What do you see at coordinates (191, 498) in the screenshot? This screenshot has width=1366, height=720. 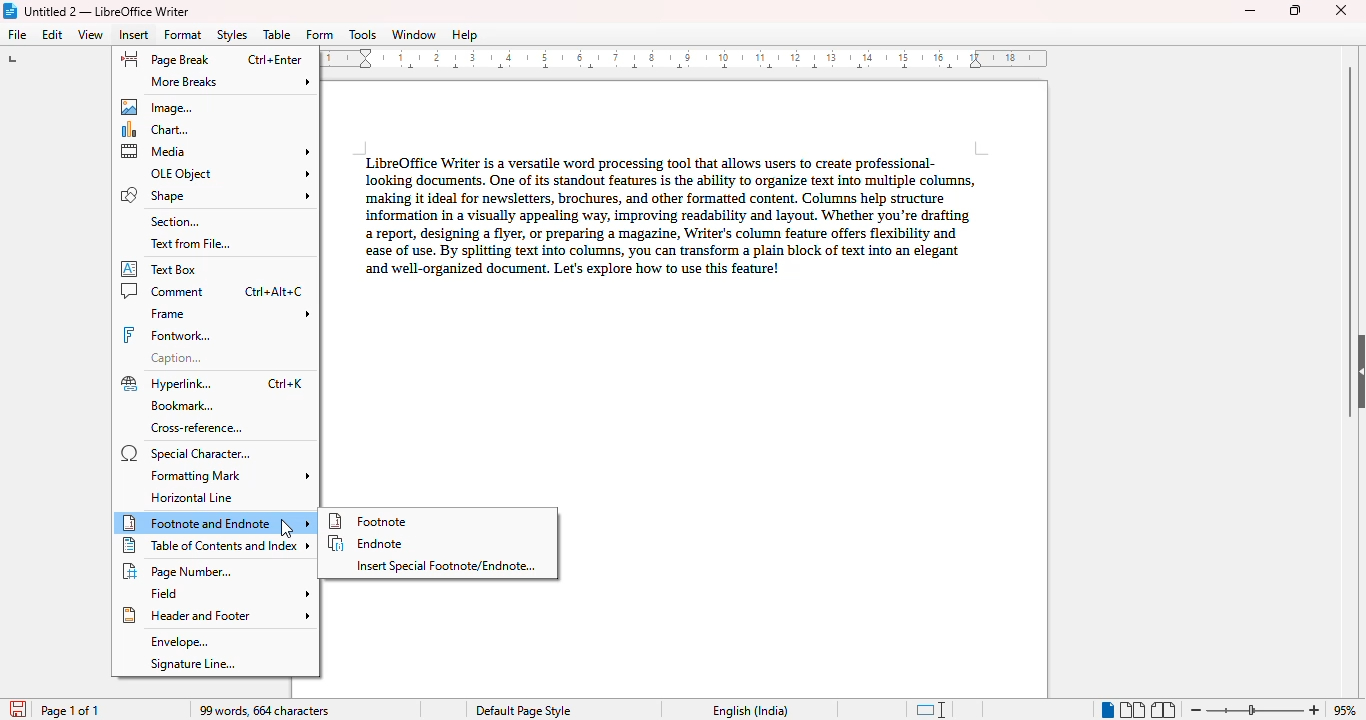 I see `horizontal line` at bounding box center [191, 498].